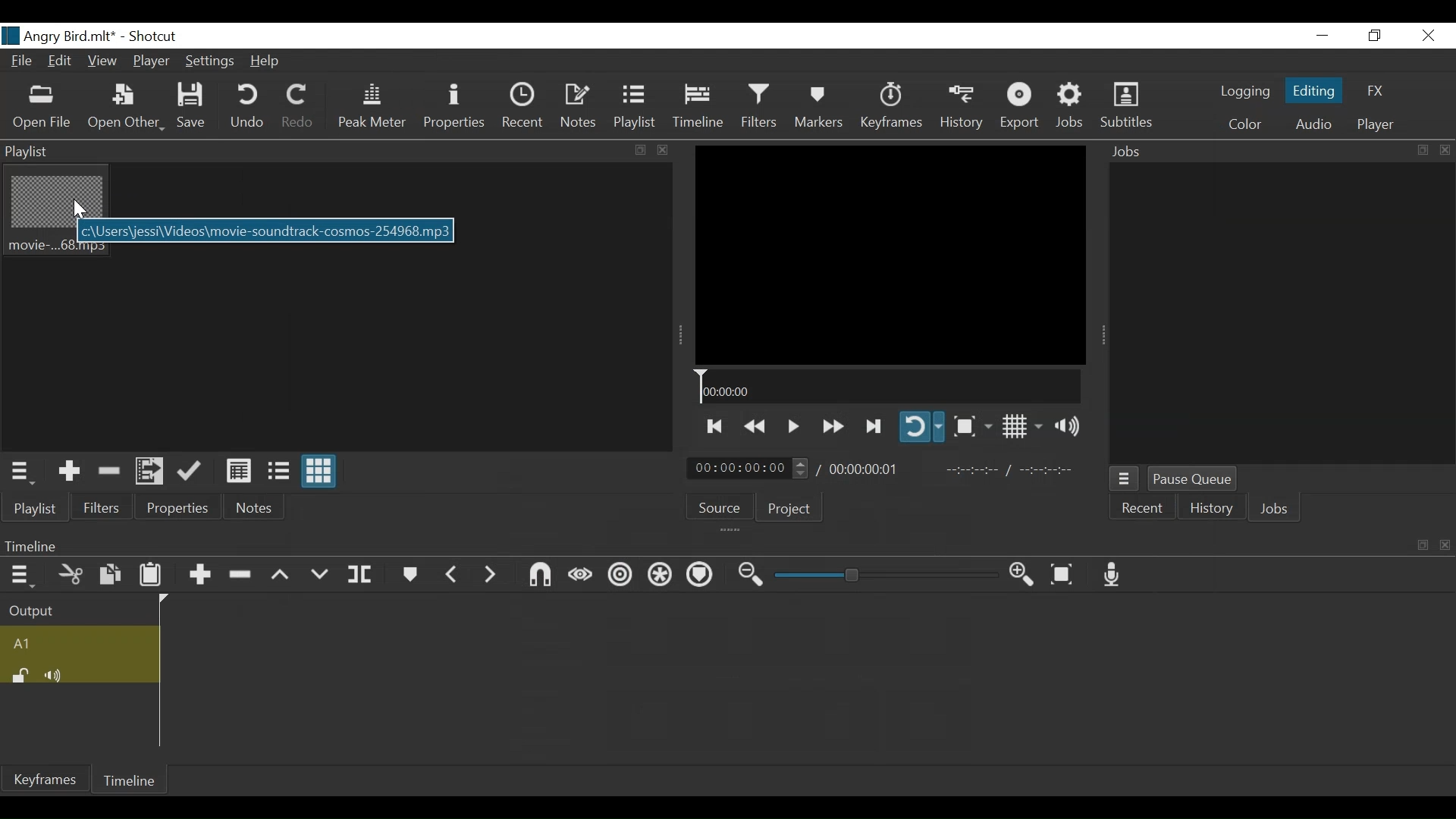 This screenshot has width=1456, height=819. What do you see at coordinates (1320, 36) in the screenshot?
I see `minimize` at bounding box center [1320, 36].